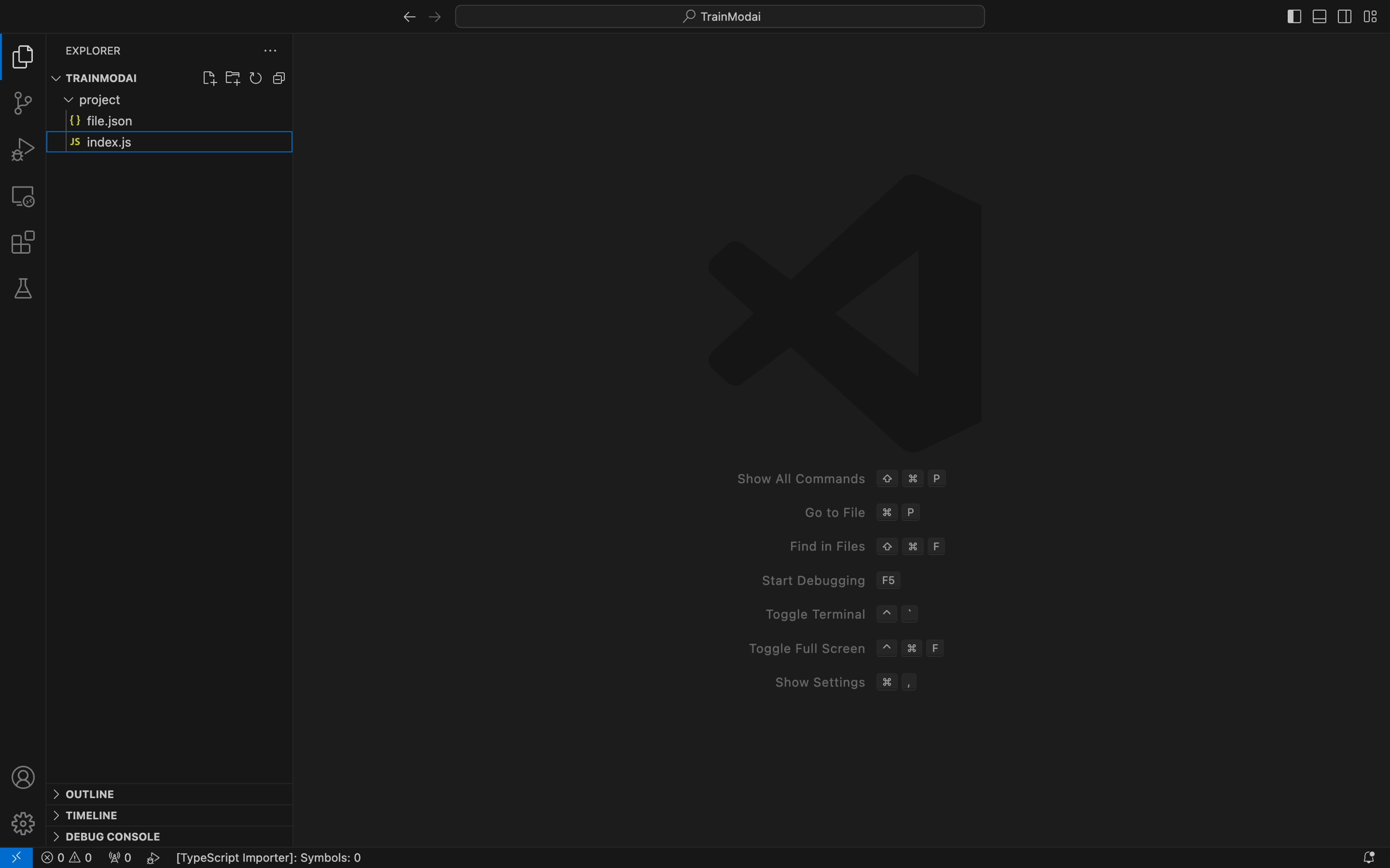 The height and width of the screenshot is (868, 1390). I want to click on Toggle Terminal, so click(835, 611).